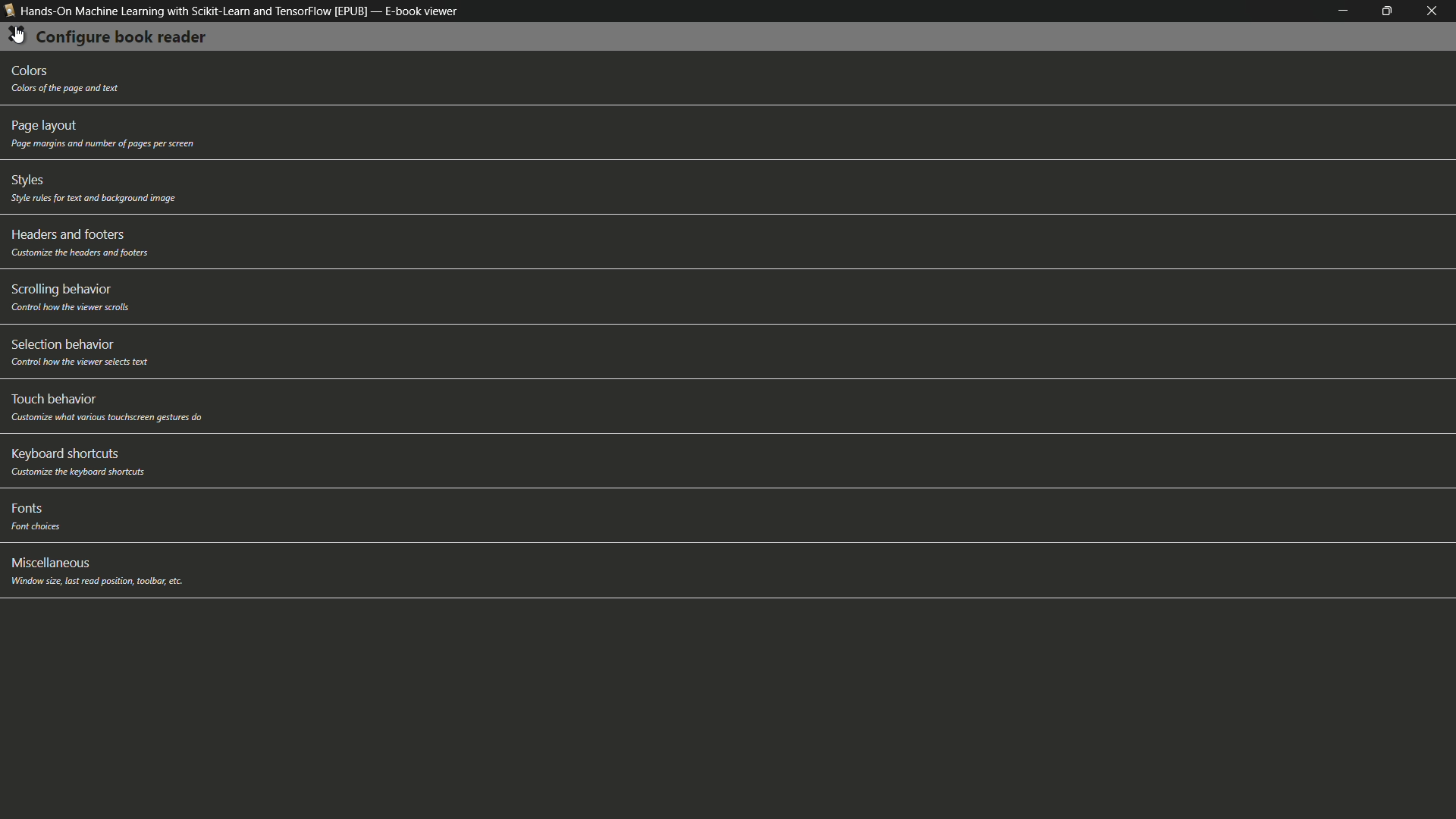  Describe the element at coordinates (92, 199) in the screenshot. I see `text` at that location.